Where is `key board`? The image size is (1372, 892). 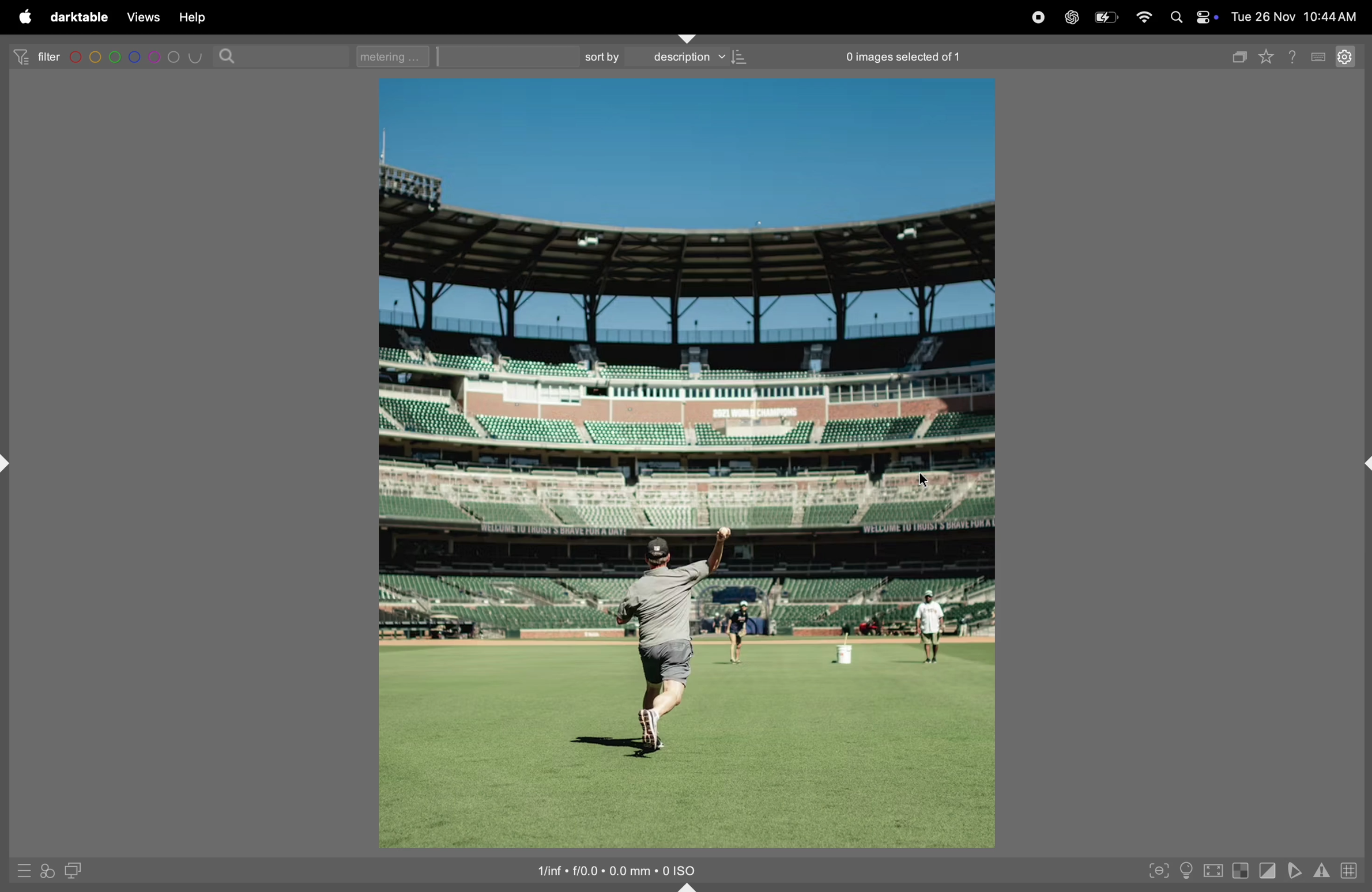
key board is located at coordinates (1318, 56).